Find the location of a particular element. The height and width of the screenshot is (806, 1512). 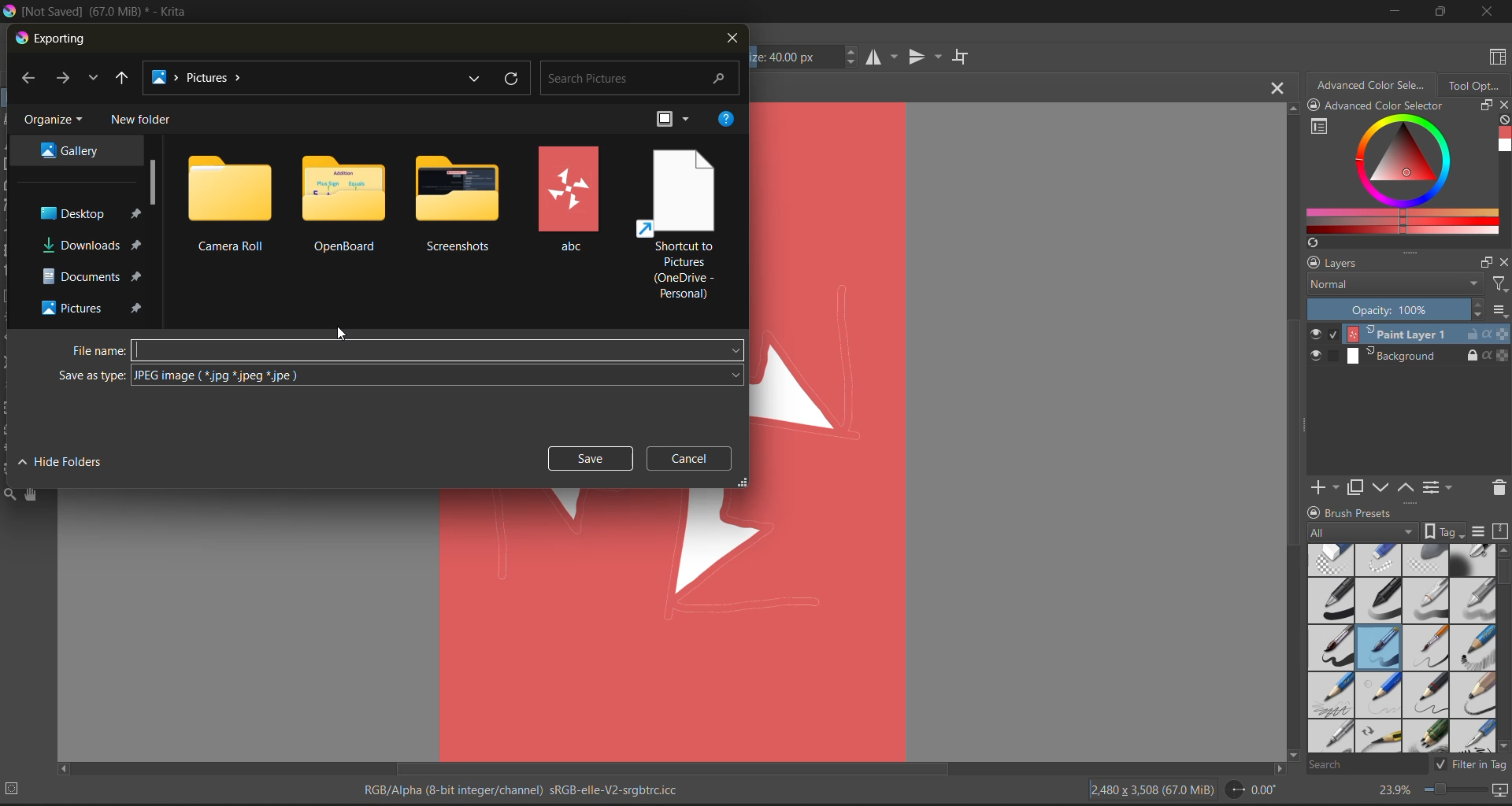

file destination is located at coordinates (91, 306).